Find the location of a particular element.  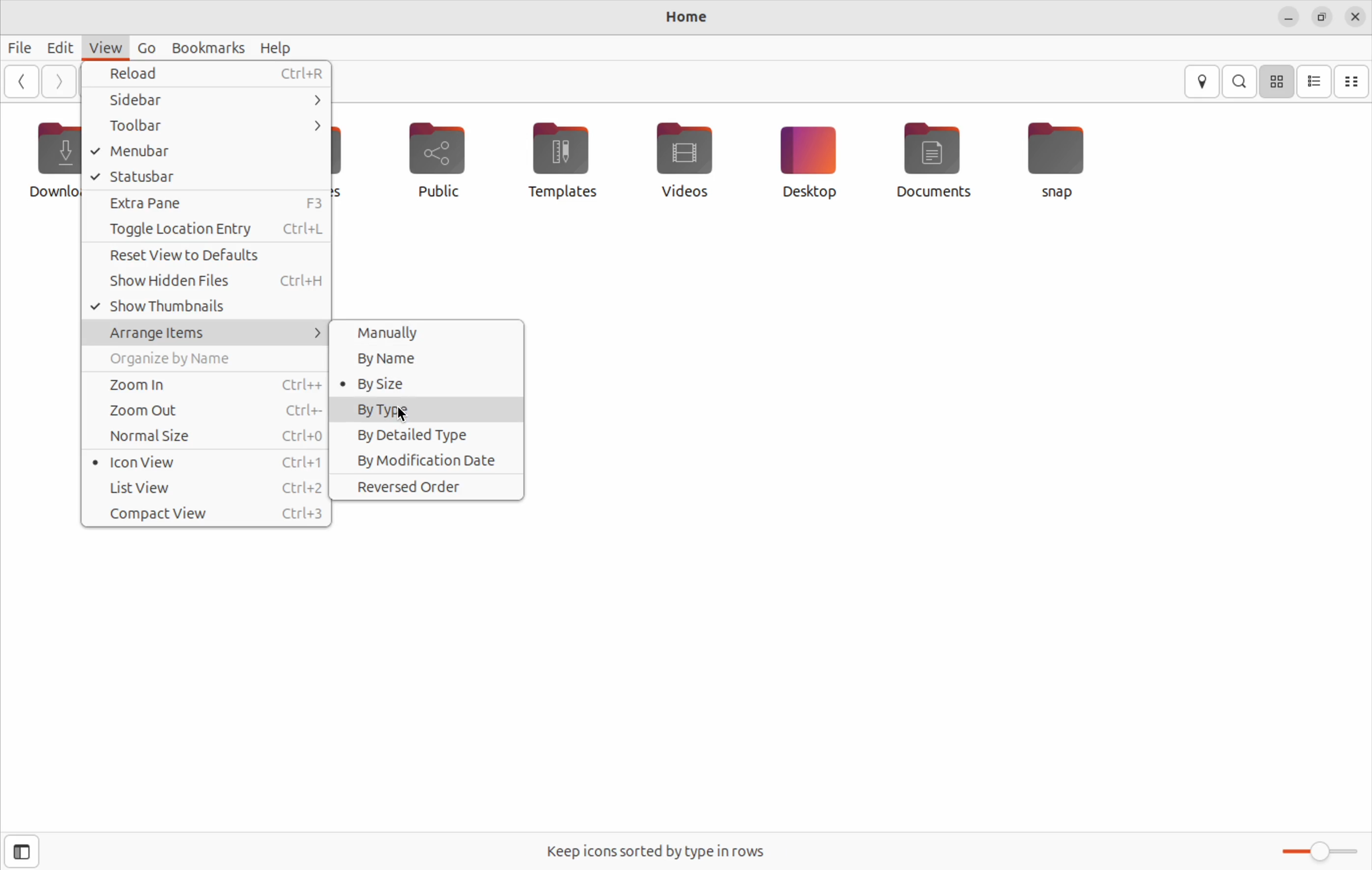

location is located at coordinates (1204, 82).